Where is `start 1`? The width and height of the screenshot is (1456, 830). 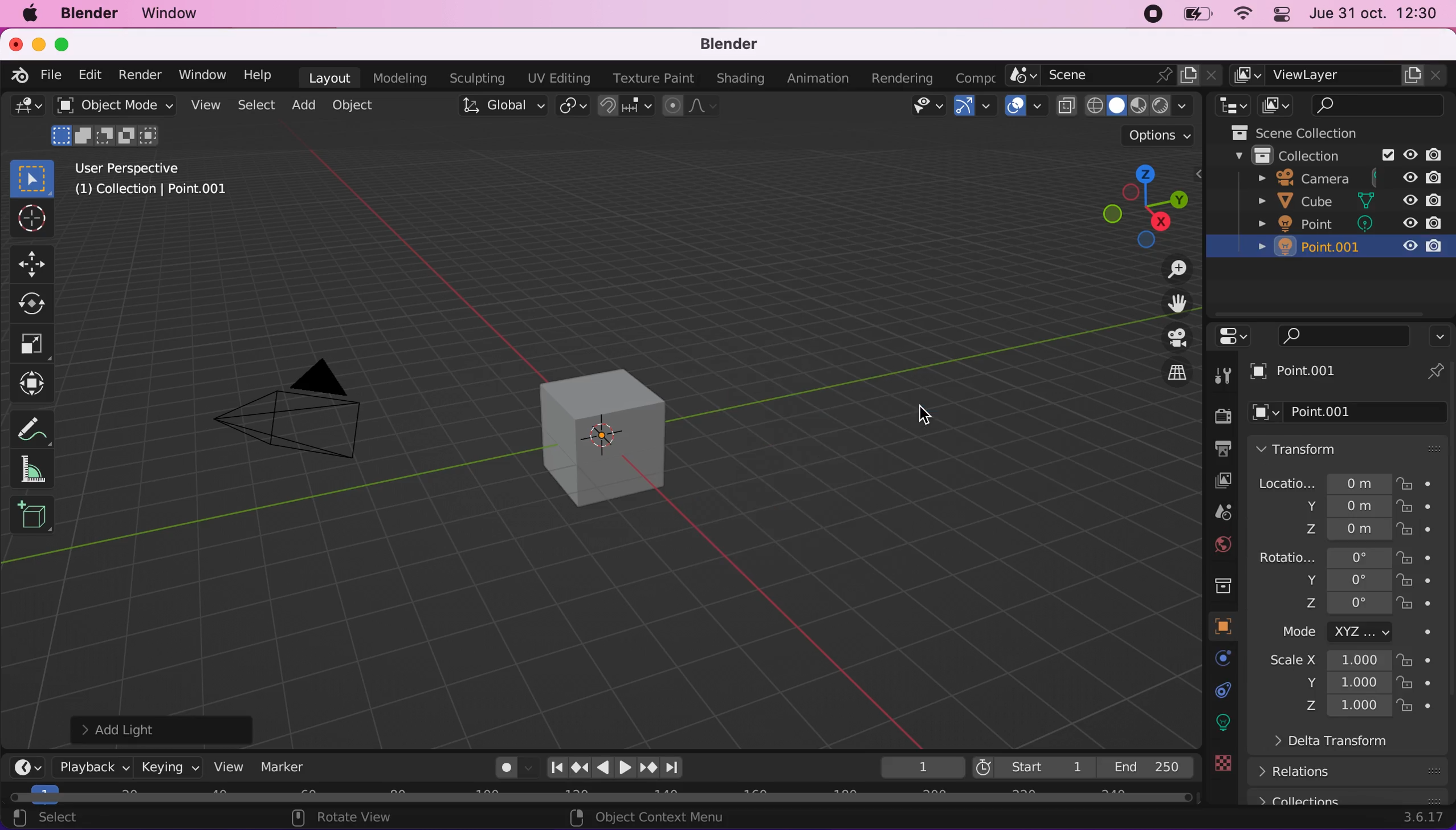 start 1 is located at coordinates (1034, 766).